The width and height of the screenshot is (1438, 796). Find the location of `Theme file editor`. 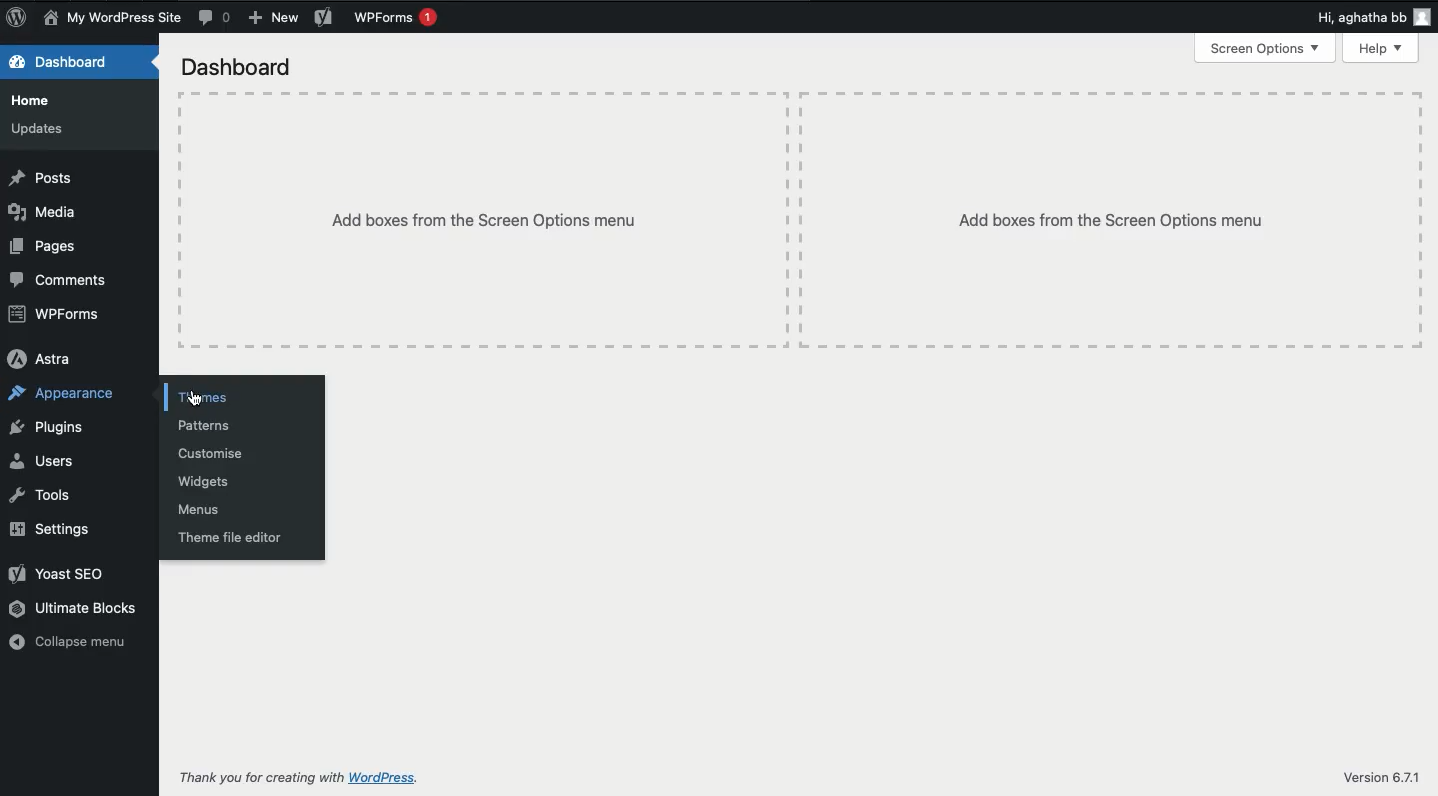

Theme file editor is located at coordinates (228, 537).